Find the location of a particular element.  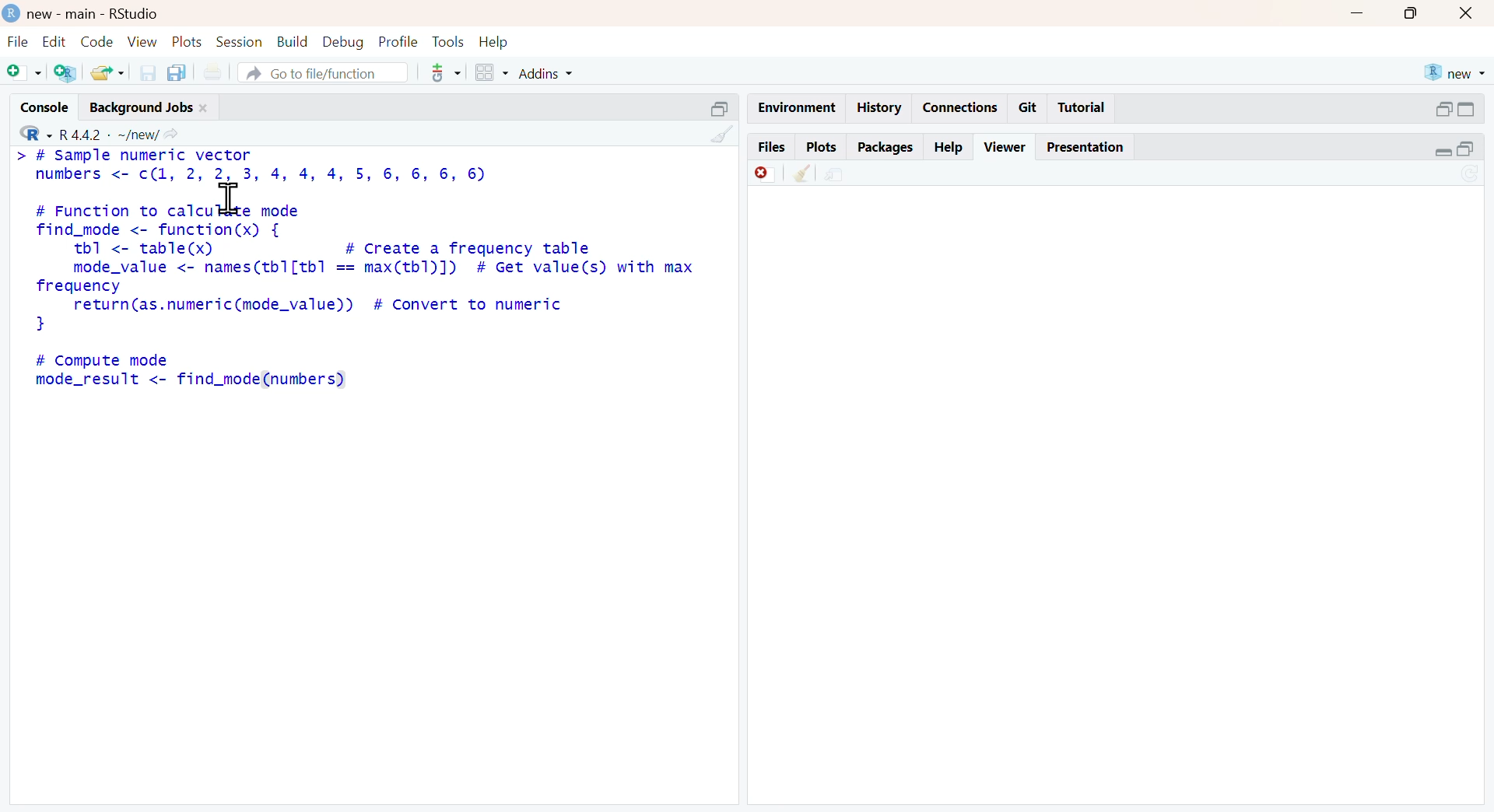

tools is located at coordinates (447, 72).